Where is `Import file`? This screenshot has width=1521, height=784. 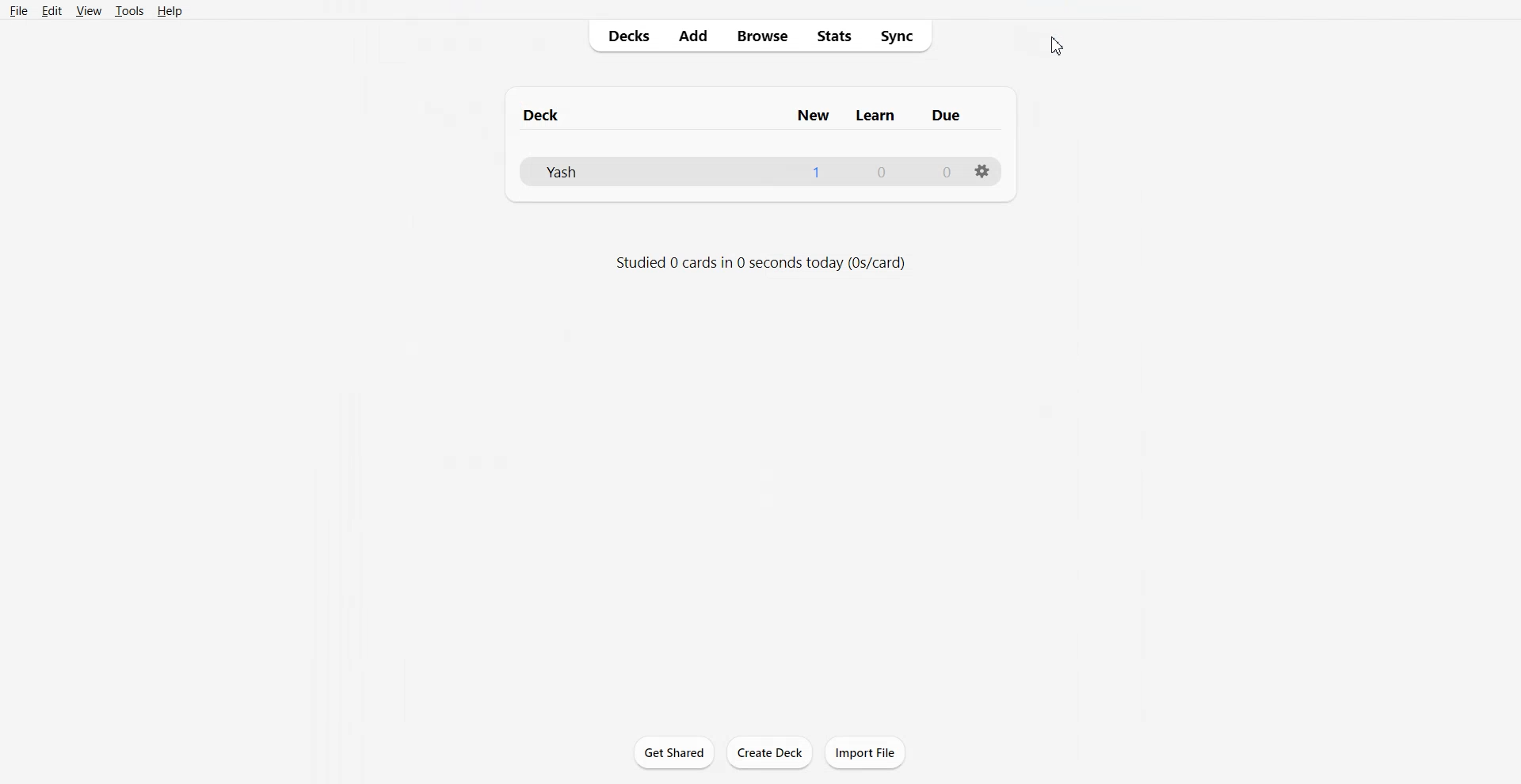
Import file is located at coordinates (866, 752).